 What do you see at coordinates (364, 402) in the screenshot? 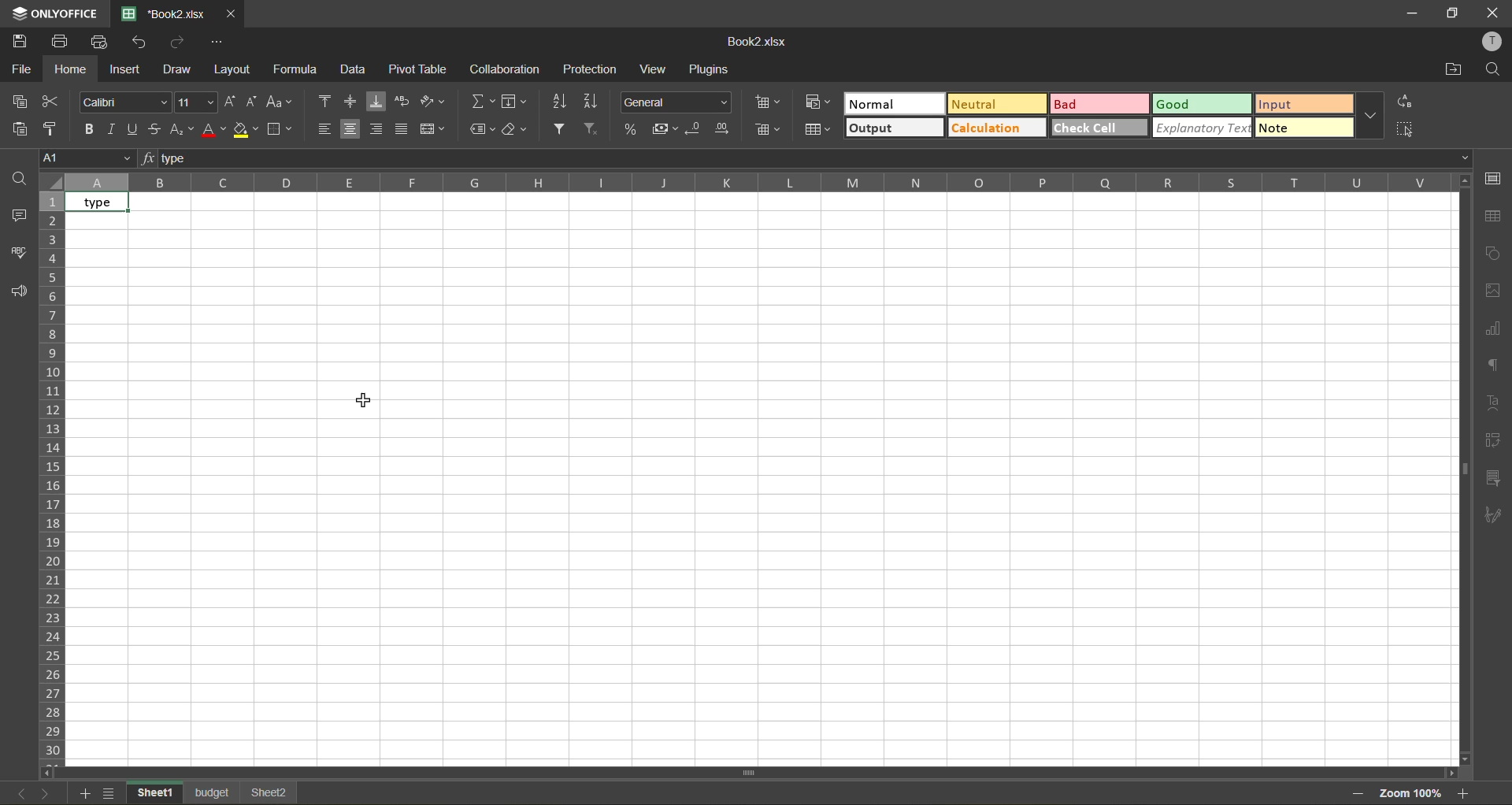
I see `cursor` at bounding box center [364, 402].